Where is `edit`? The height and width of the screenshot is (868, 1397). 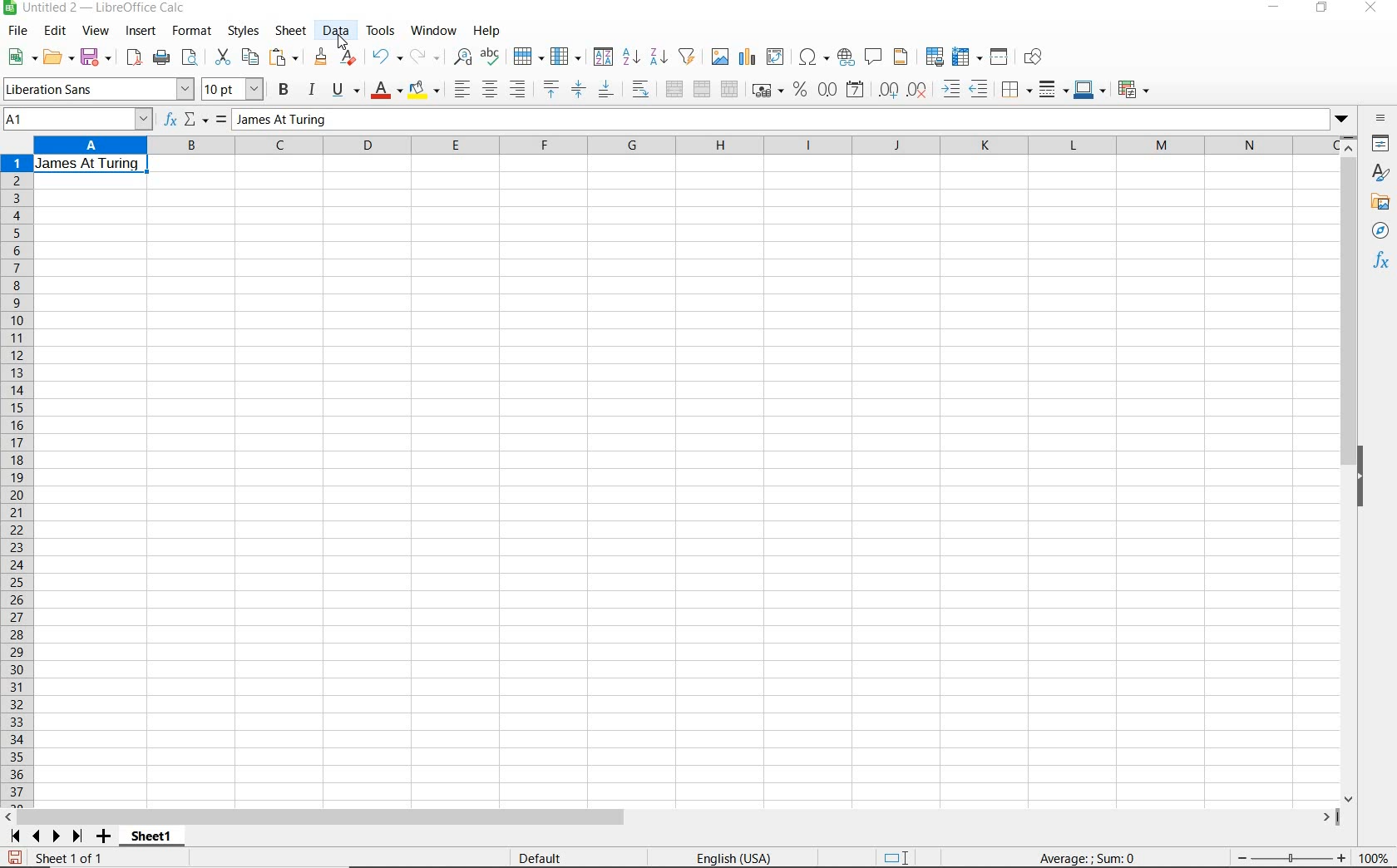
edit is located at coordinates (57, 32).